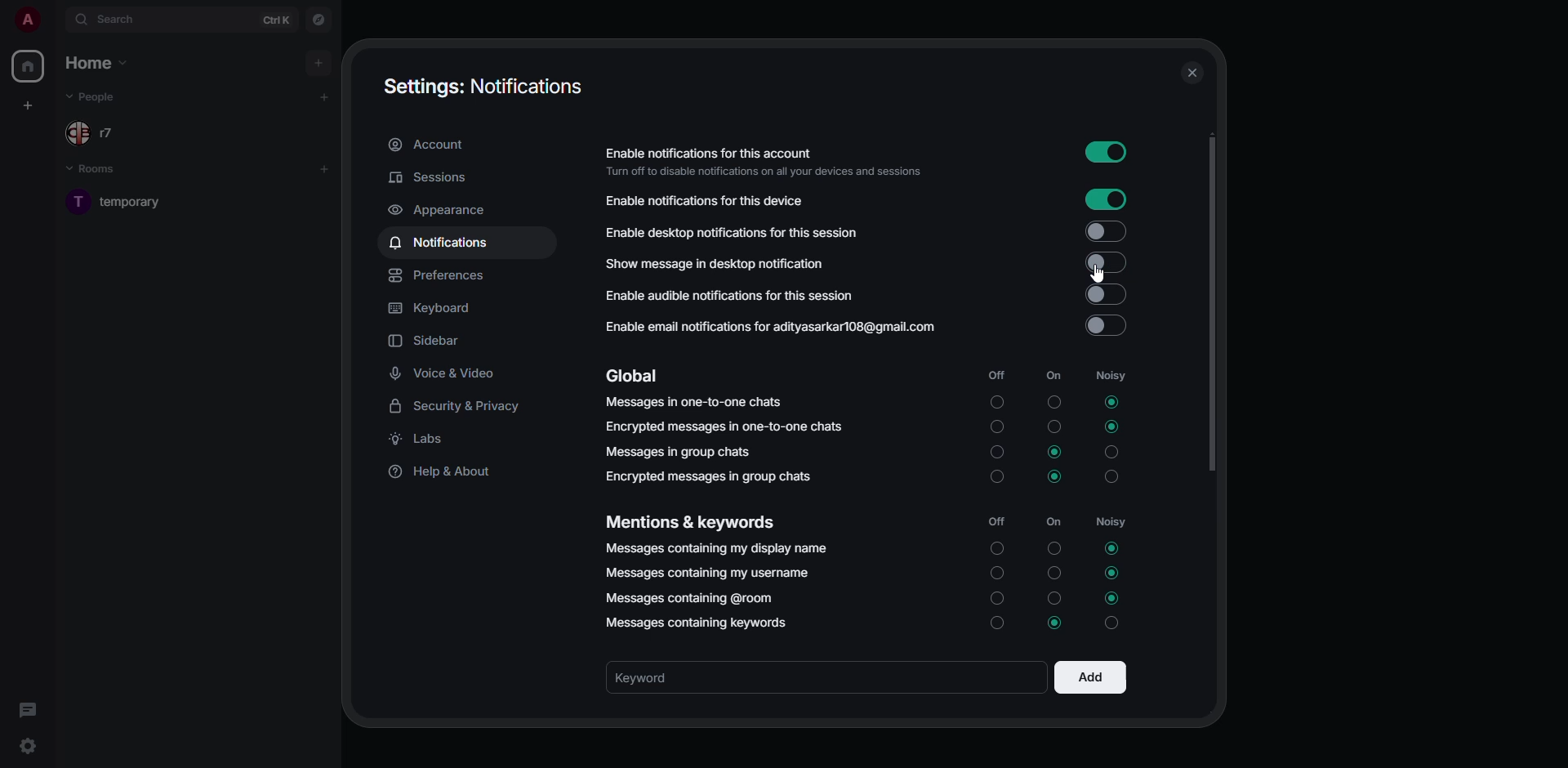  I want to click on selected, so click(1111, 597).